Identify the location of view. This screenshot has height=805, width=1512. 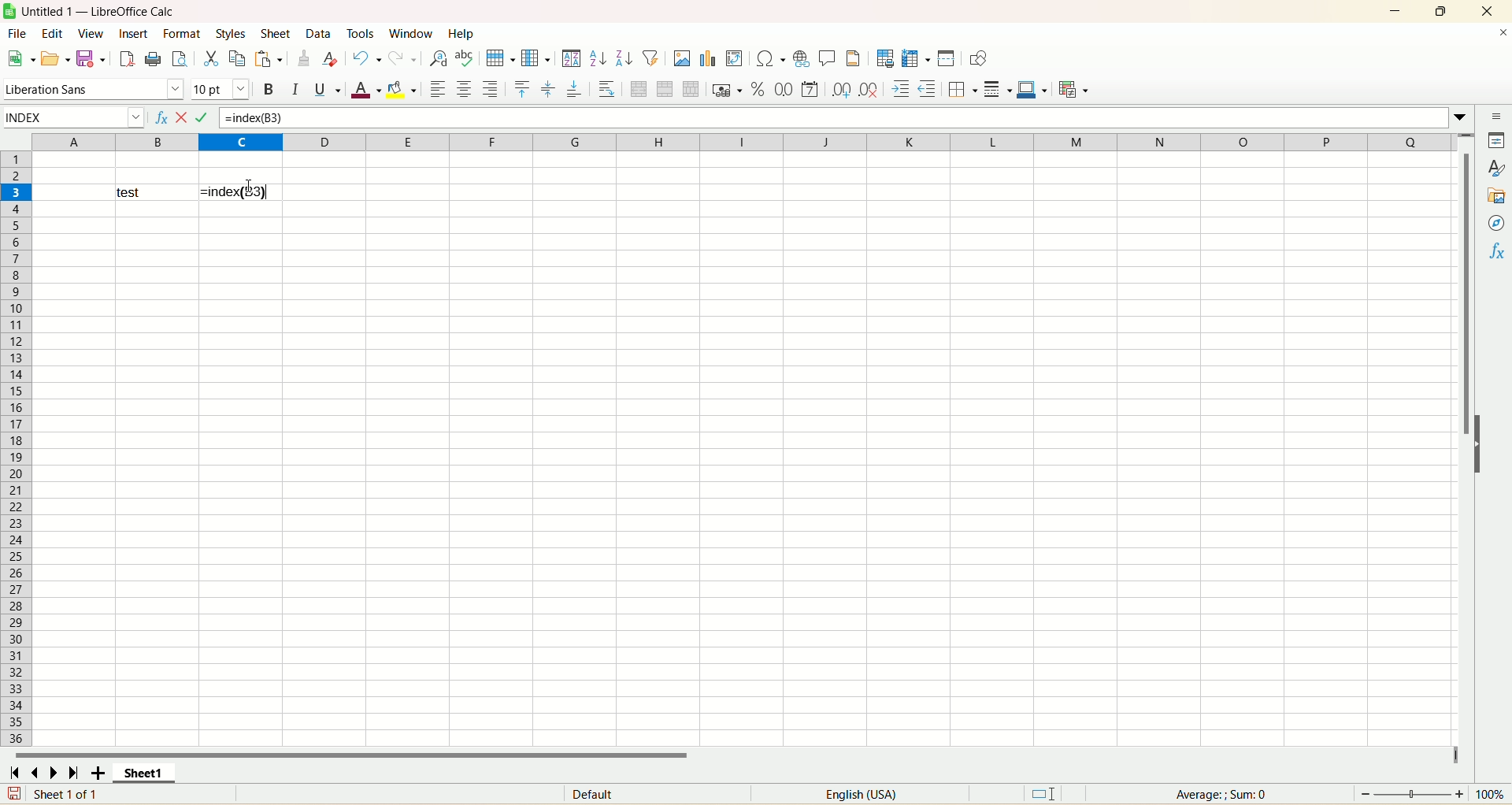
(91, 34).